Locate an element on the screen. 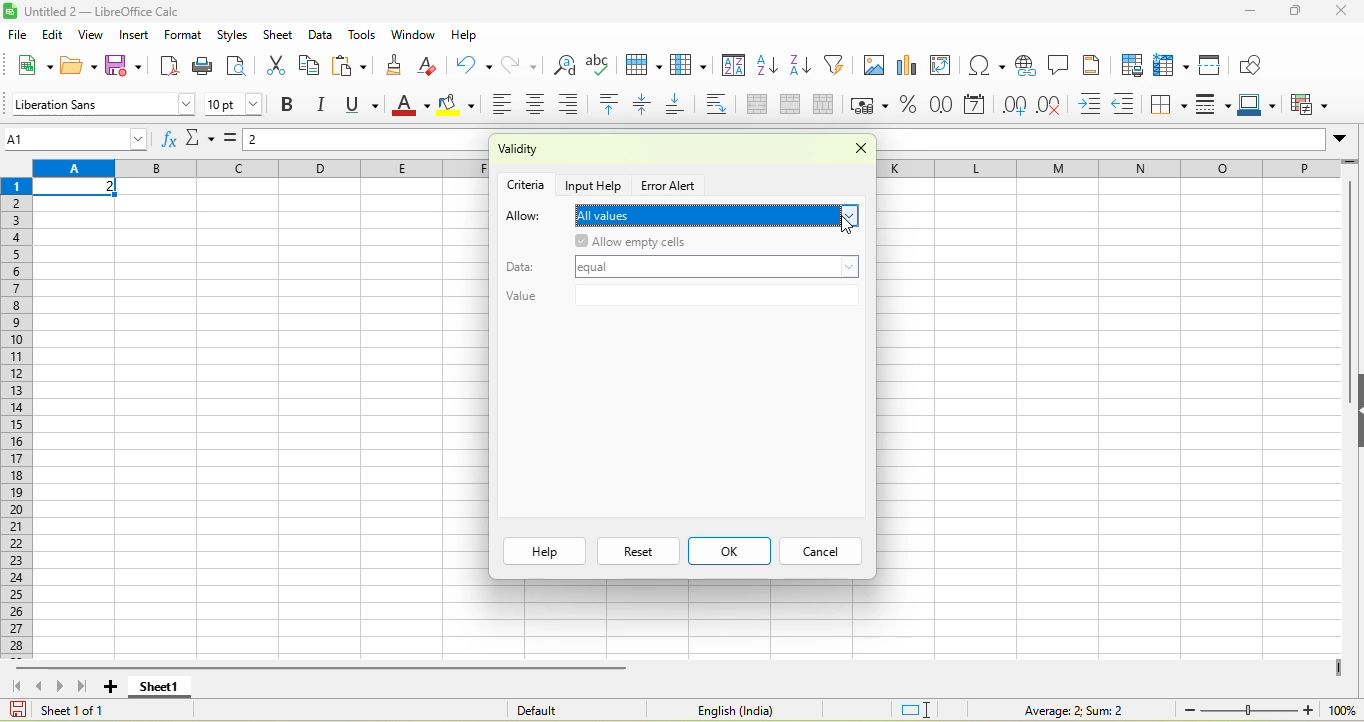  format as percent is located at coordinates (909, 106).